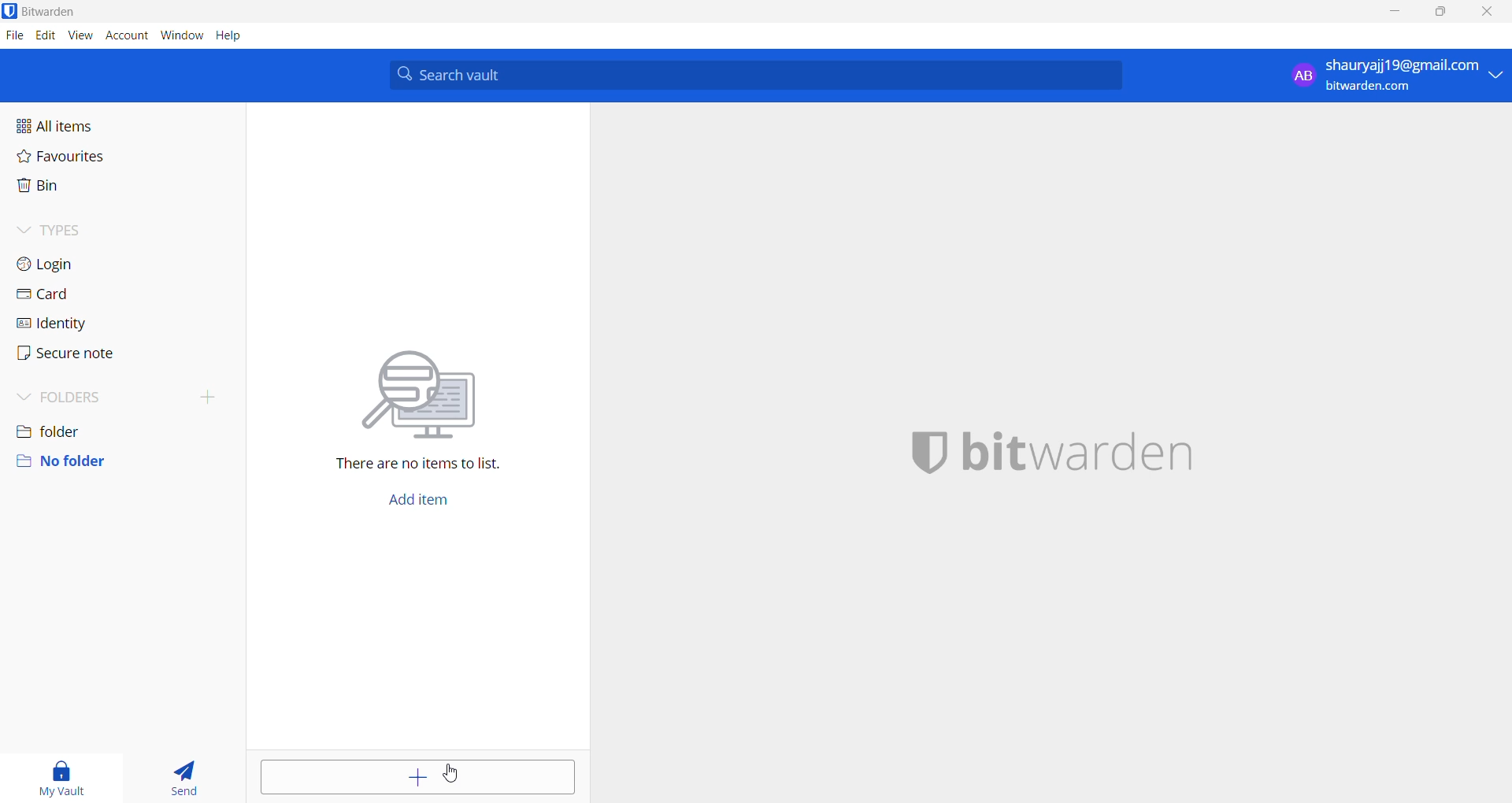 Image resolution: width=1512 pixels, height=803 pixels. What do you see at coordinates (1396, 12) in the screenshot?
I see `minimize` at bounding box center [1396, 12].